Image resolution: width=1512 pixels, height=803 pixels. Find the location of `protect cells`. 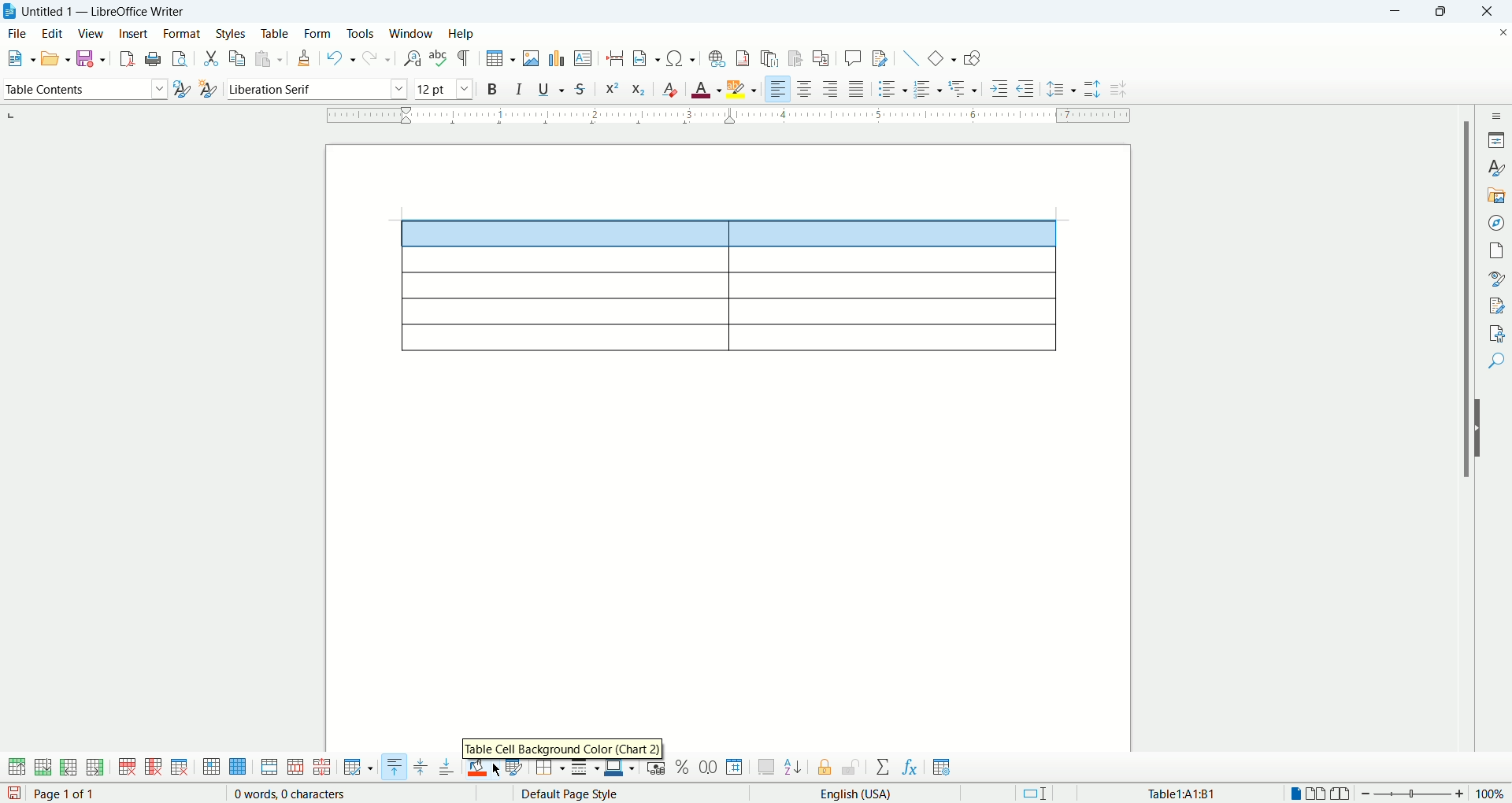

protect cells is located at coordinates (823, 769).